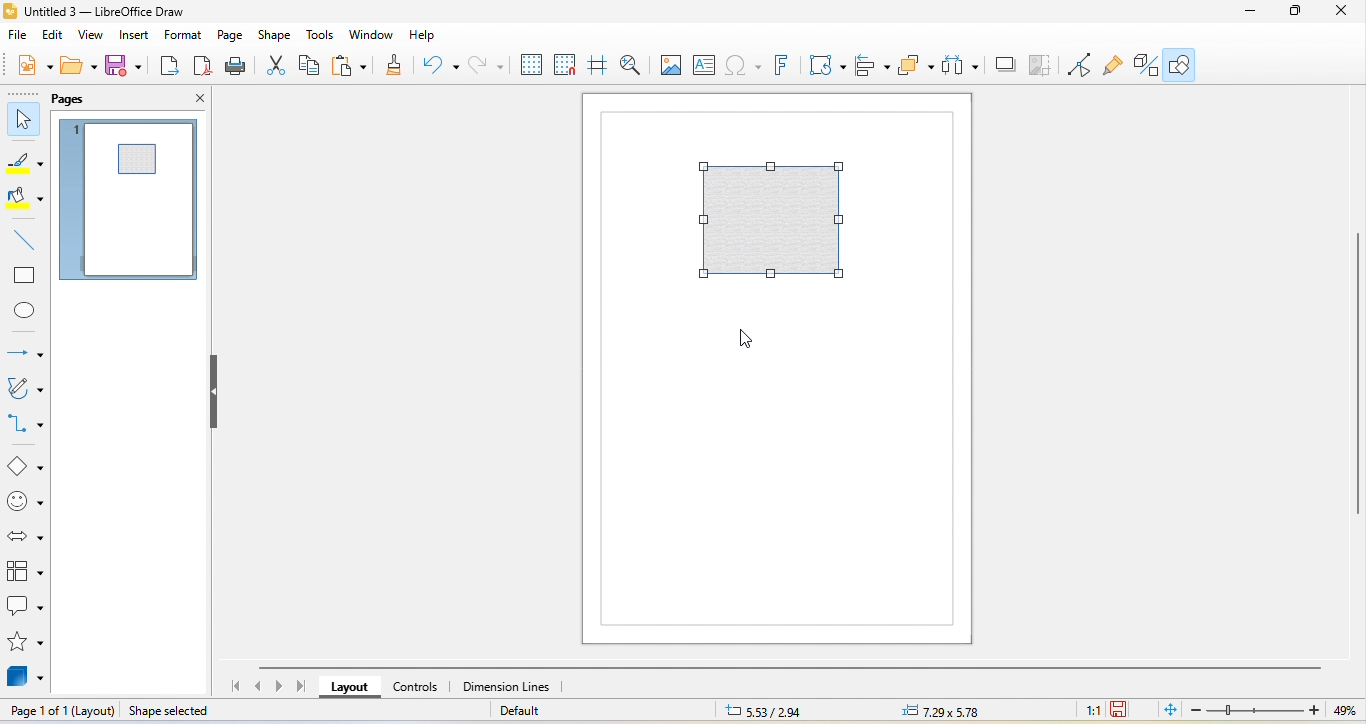 The image size is (1366, 724). I want to click on 9.96/7.42, so click(783, 711).